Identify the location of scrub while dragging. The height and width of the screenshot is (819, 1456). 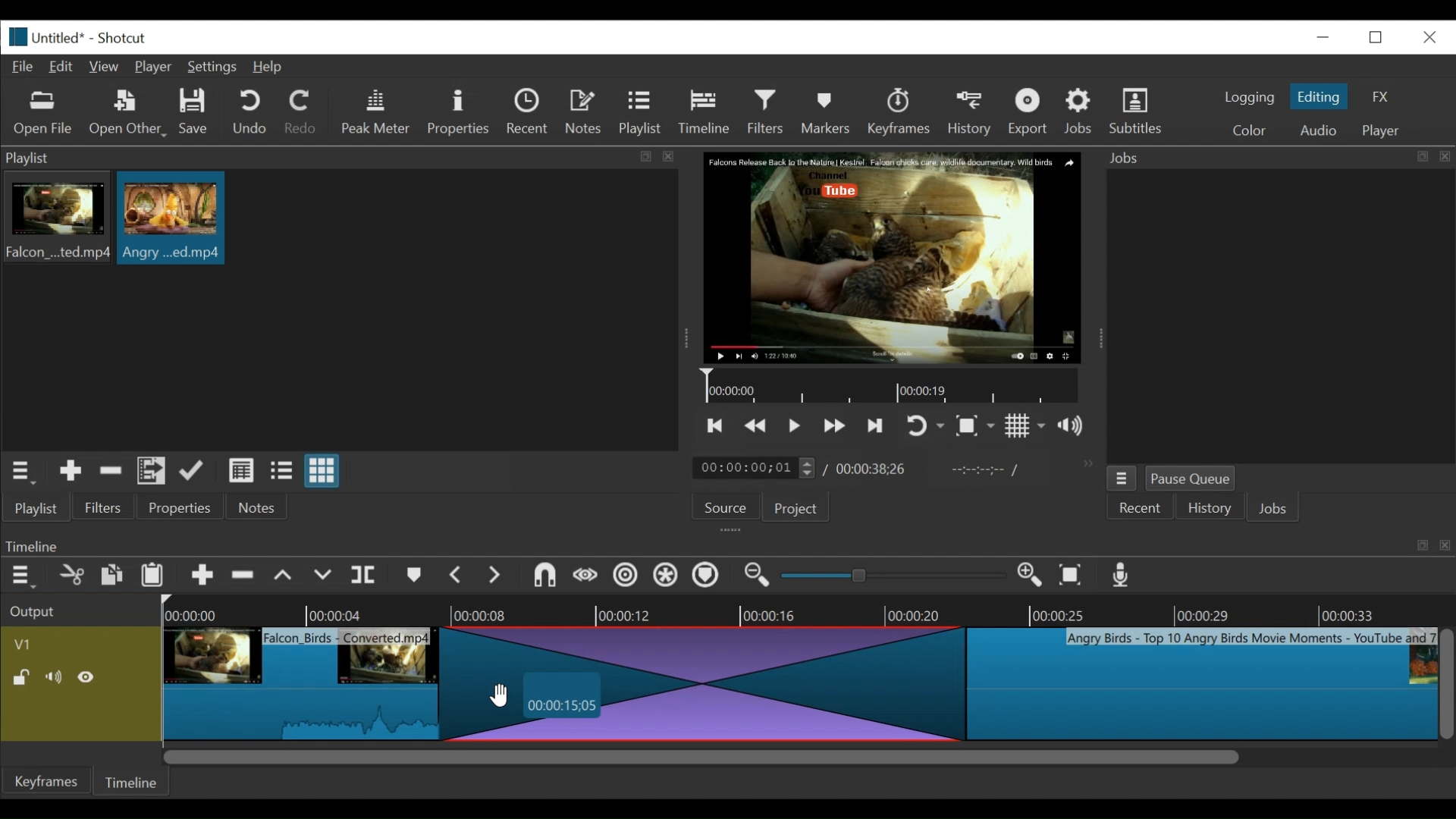
(586, 576).